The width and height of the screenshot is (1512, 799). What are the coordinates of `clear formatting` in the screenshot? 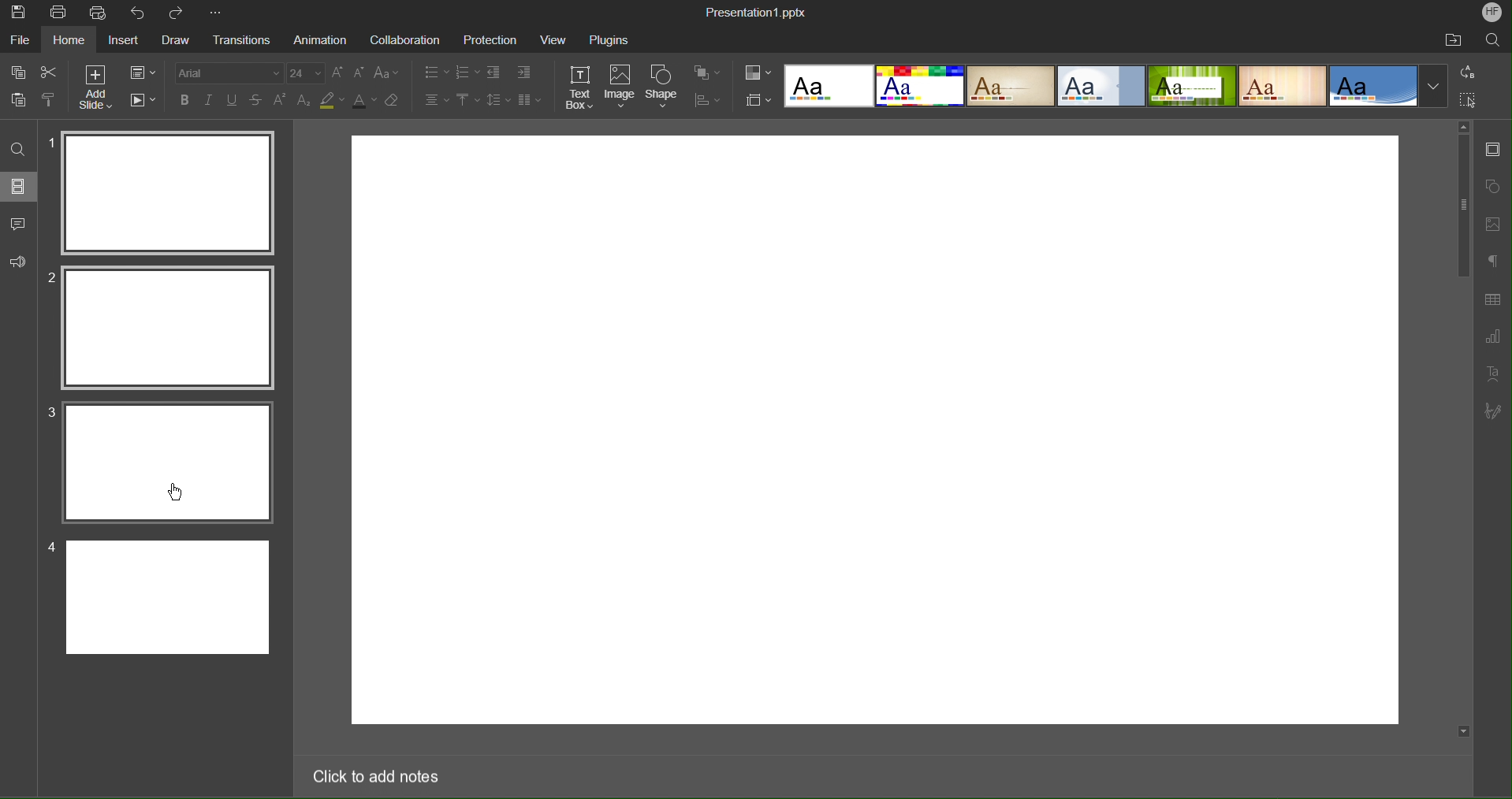 It's located at (393, 102).